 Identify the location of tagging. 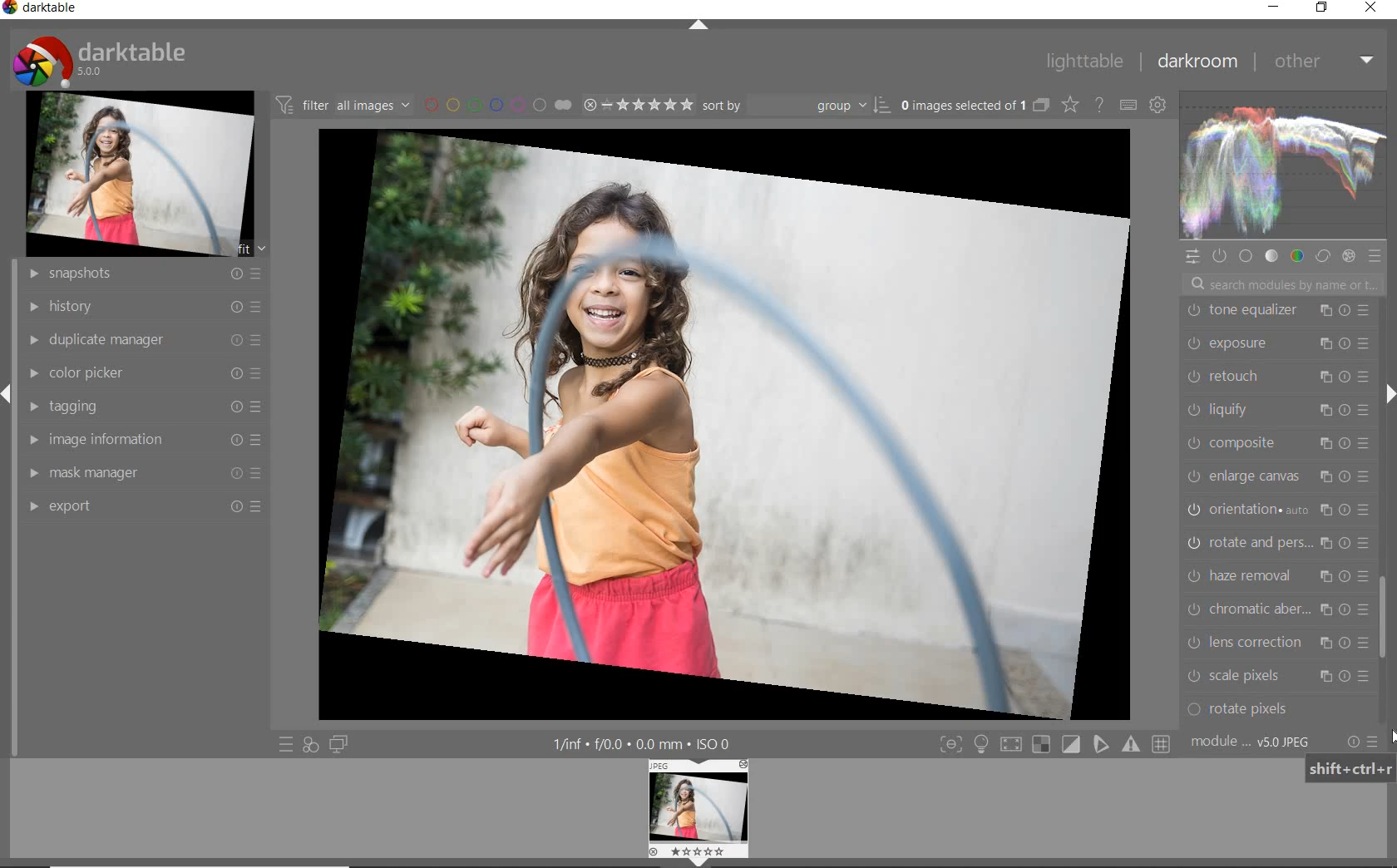
(144, 406).